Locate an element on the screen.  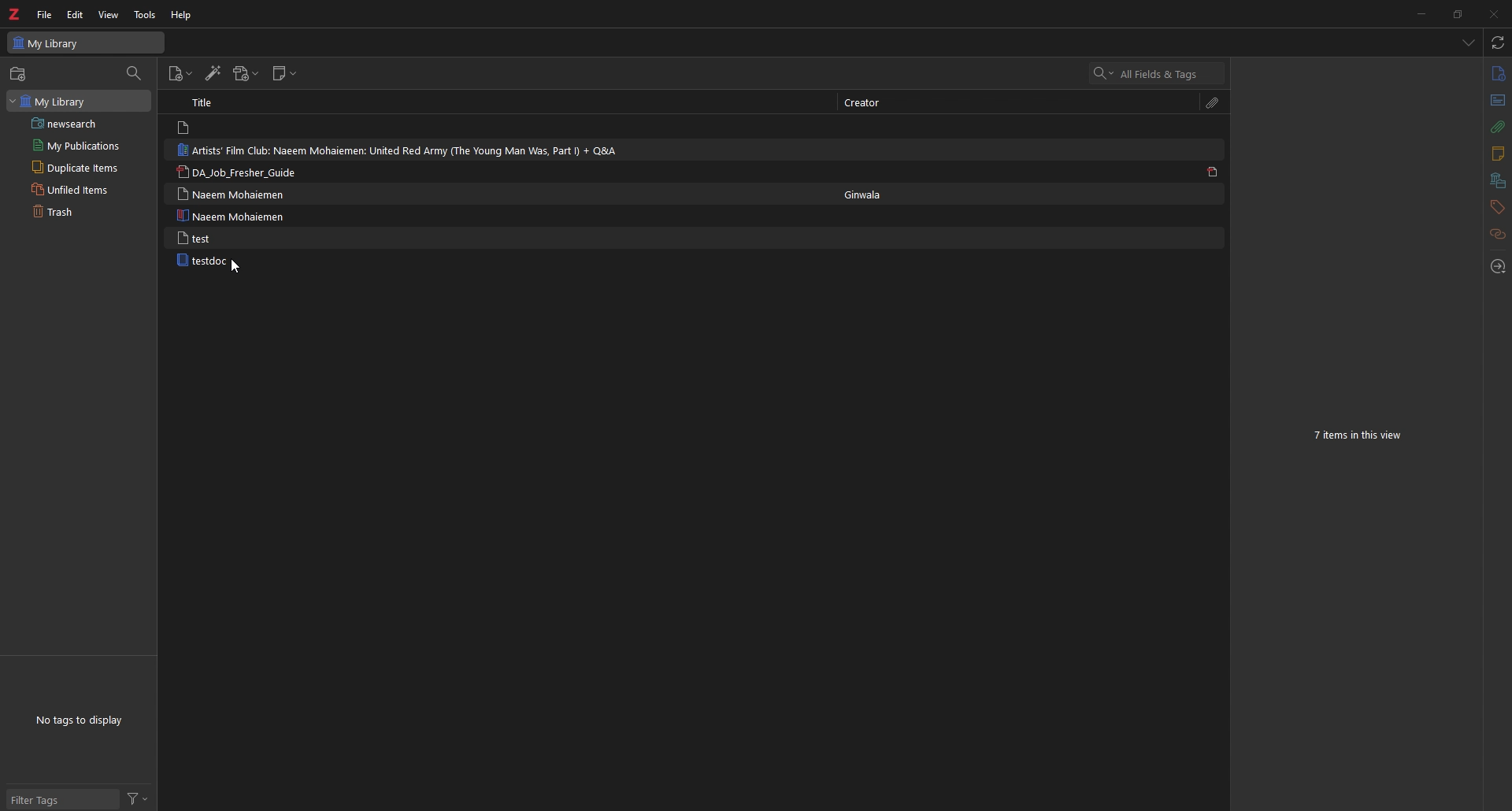
filter is located at coordinates (138, 799).